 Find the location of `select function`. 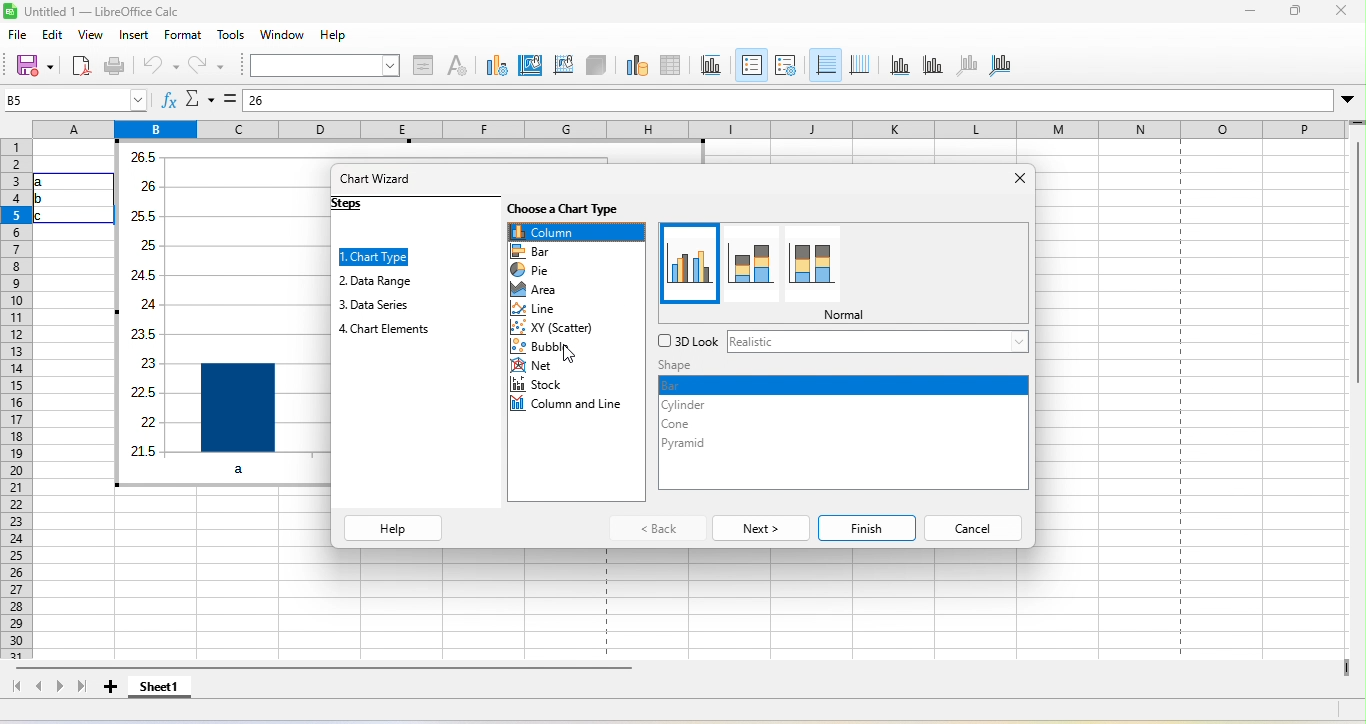

select function is located at coordinates (200, 99).